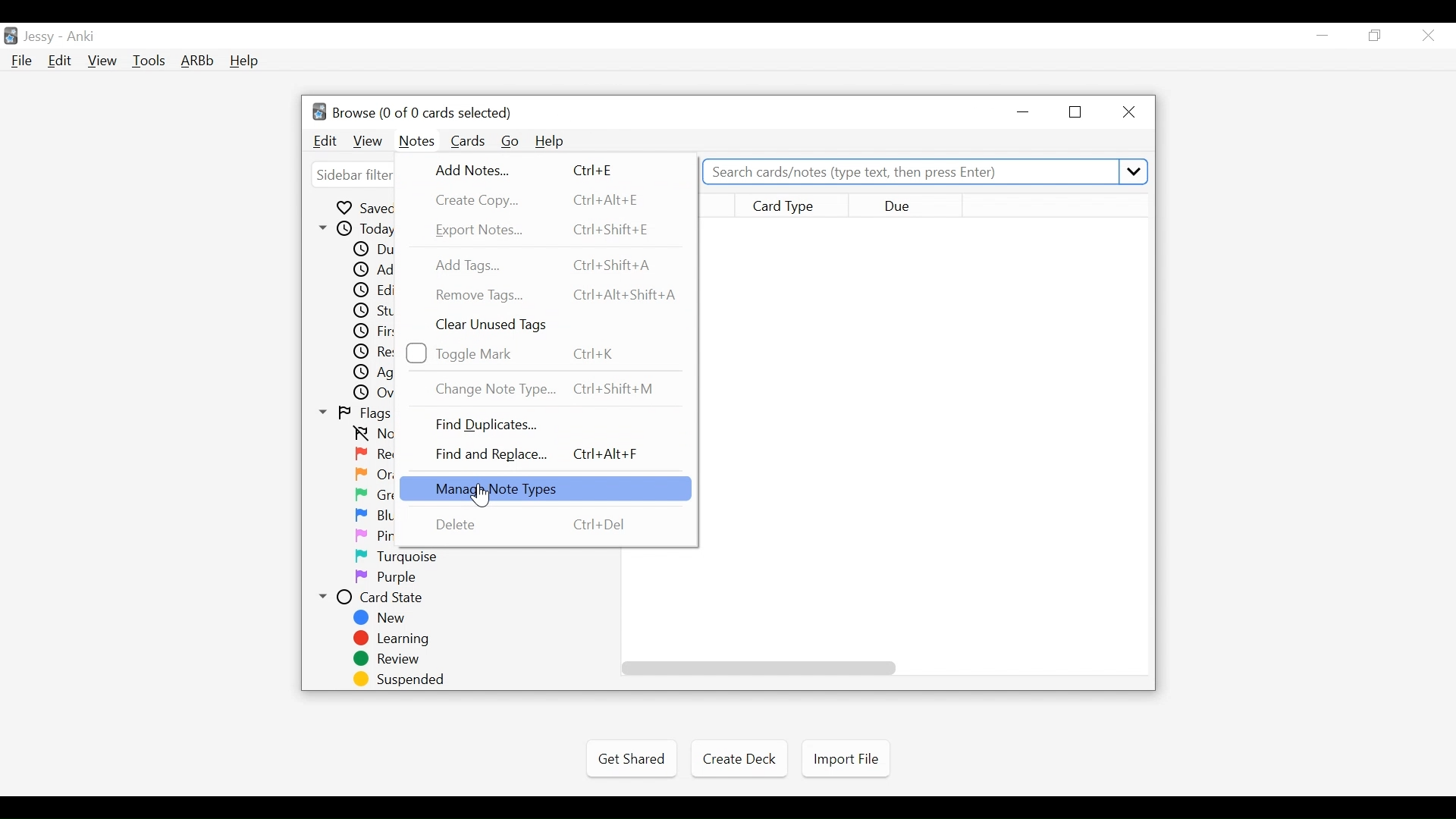 This screenshot has height=819, width=1456. Describe the element at coordinates (416, 143) in the screenshot. I see `Note` at that location.